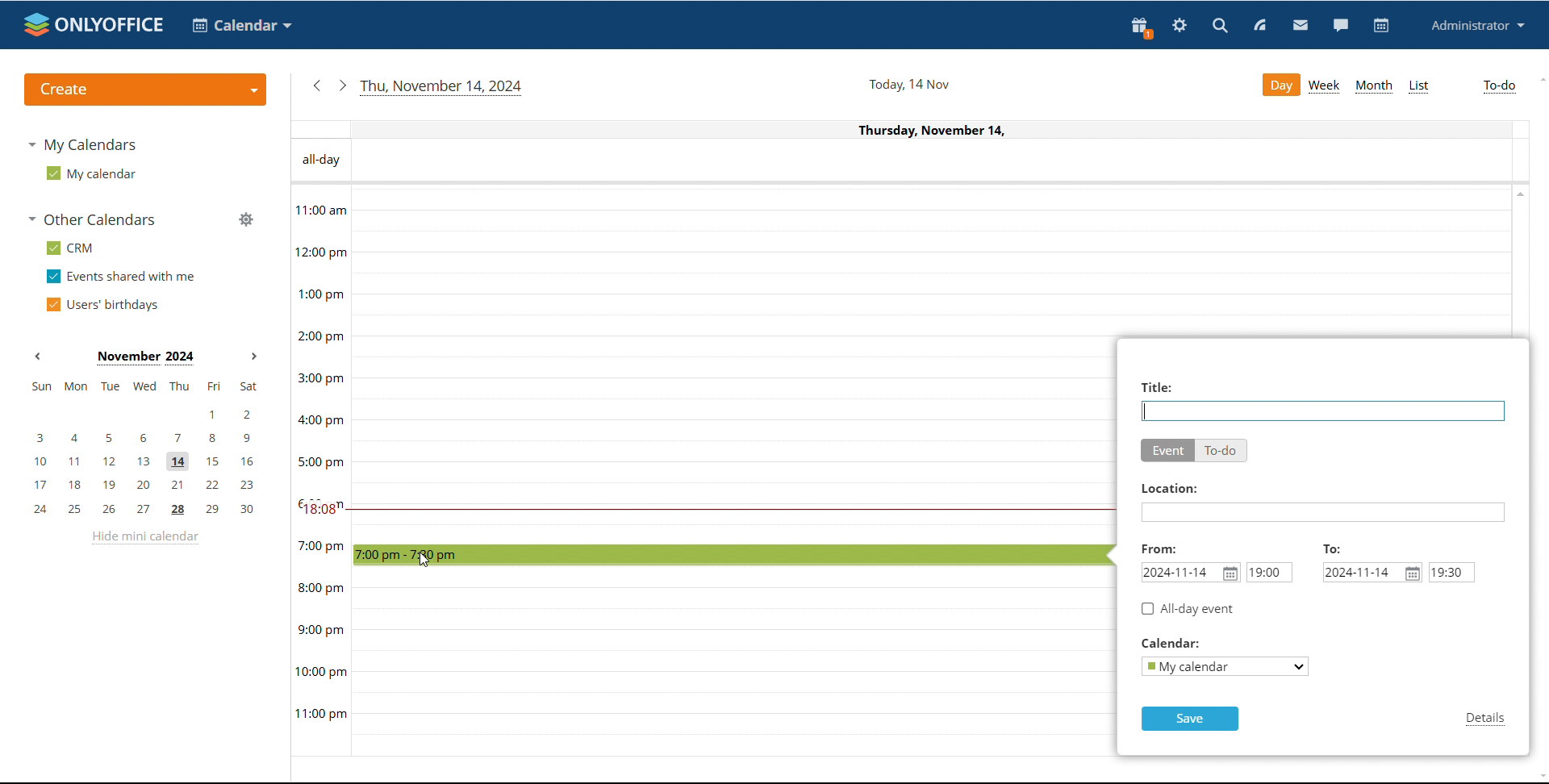 The height and width of the screenshot is (784, 1549). What do you see at coordinates (1159, 386) in the screenshot?
I see `Title` at bounding box center [1159, 386].